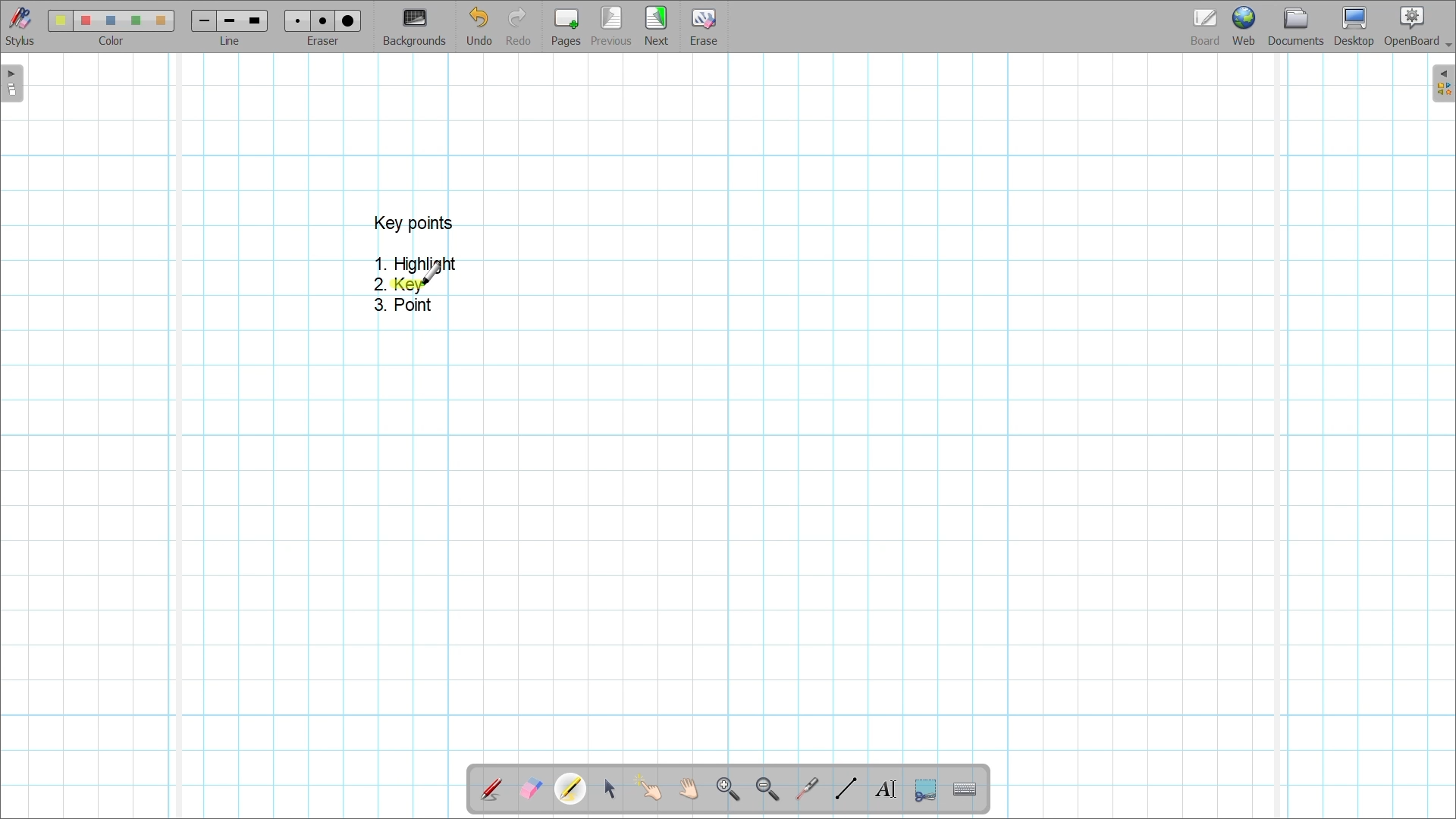 This screenshot has width=1456, height=819. What do you see at coordinates (1417, 27) in the screenshot?
I see `OpenBoard` at bounding box center [1417, 27].